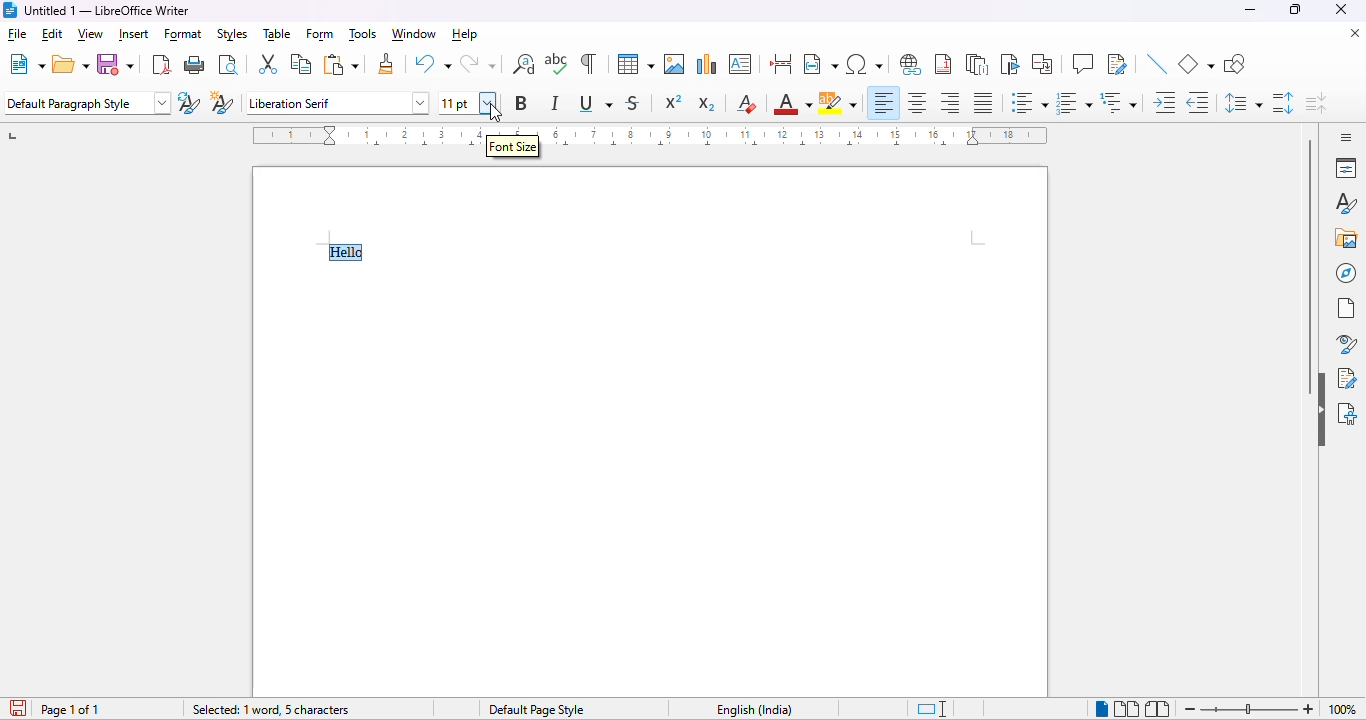  What do you see at coordinates (1159, 709) in the screenshot?
I see `book view` at bounding box center [1159, 709].